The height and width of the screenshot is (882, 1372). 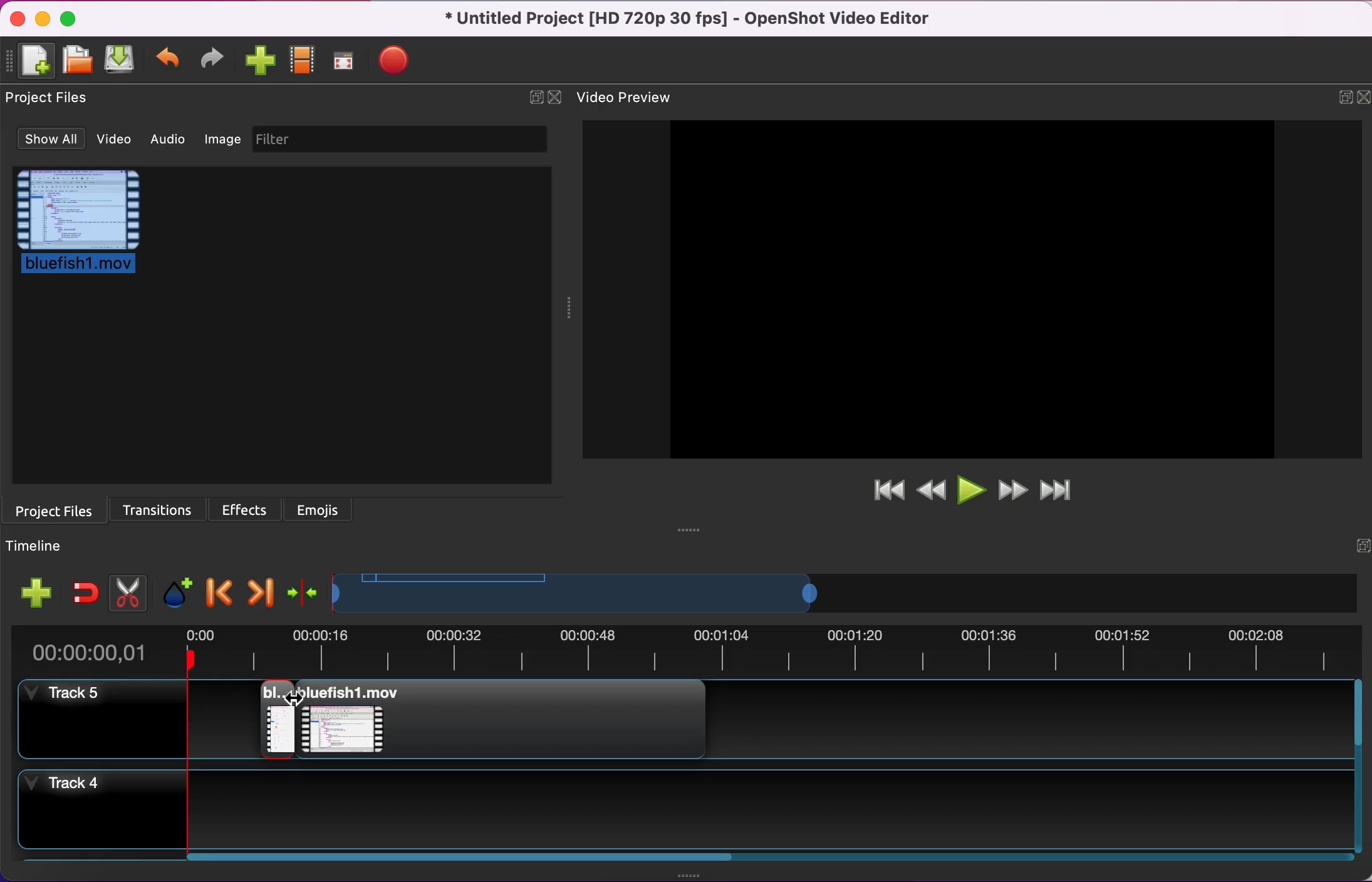 What do you see at coordinates (16, 18) in the screenshot?
I see `close` at bounding box center [16, 18].